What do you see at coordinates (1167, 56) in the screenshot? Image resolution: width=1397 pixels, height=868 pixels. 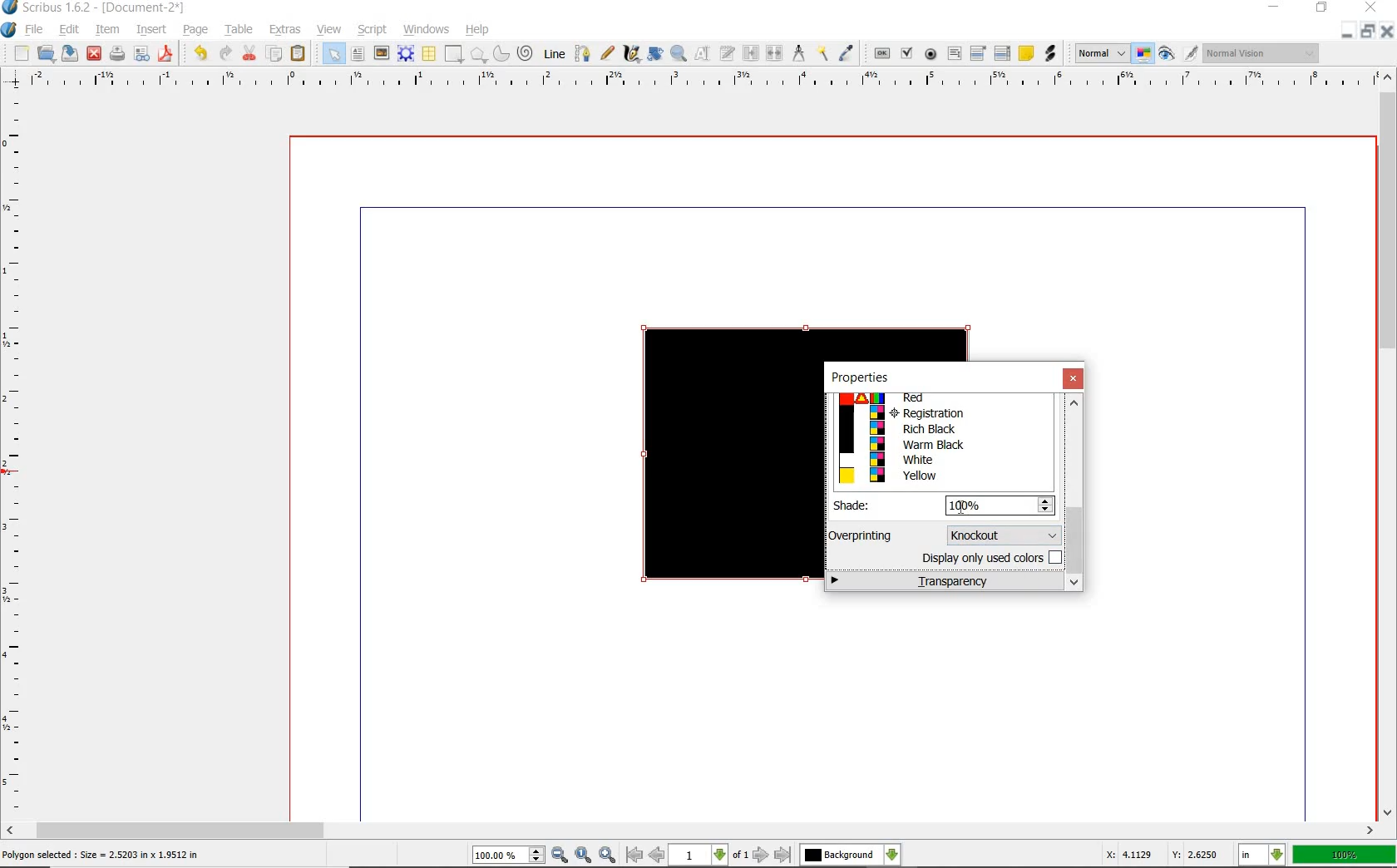 I see `preview mode` at bounding box center [1167, 56].